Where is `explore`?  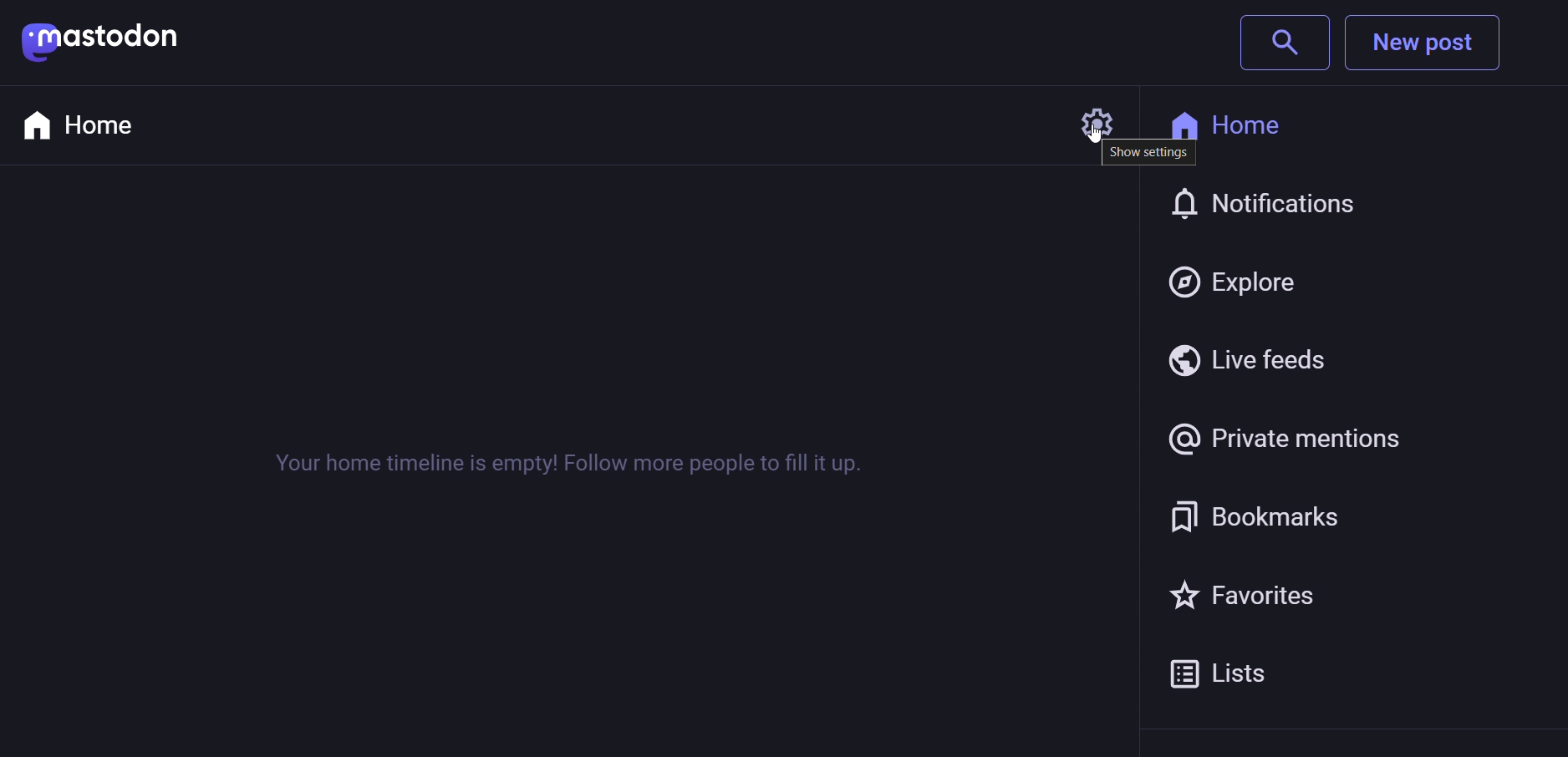
explore is located at coordinates (1240, 276).